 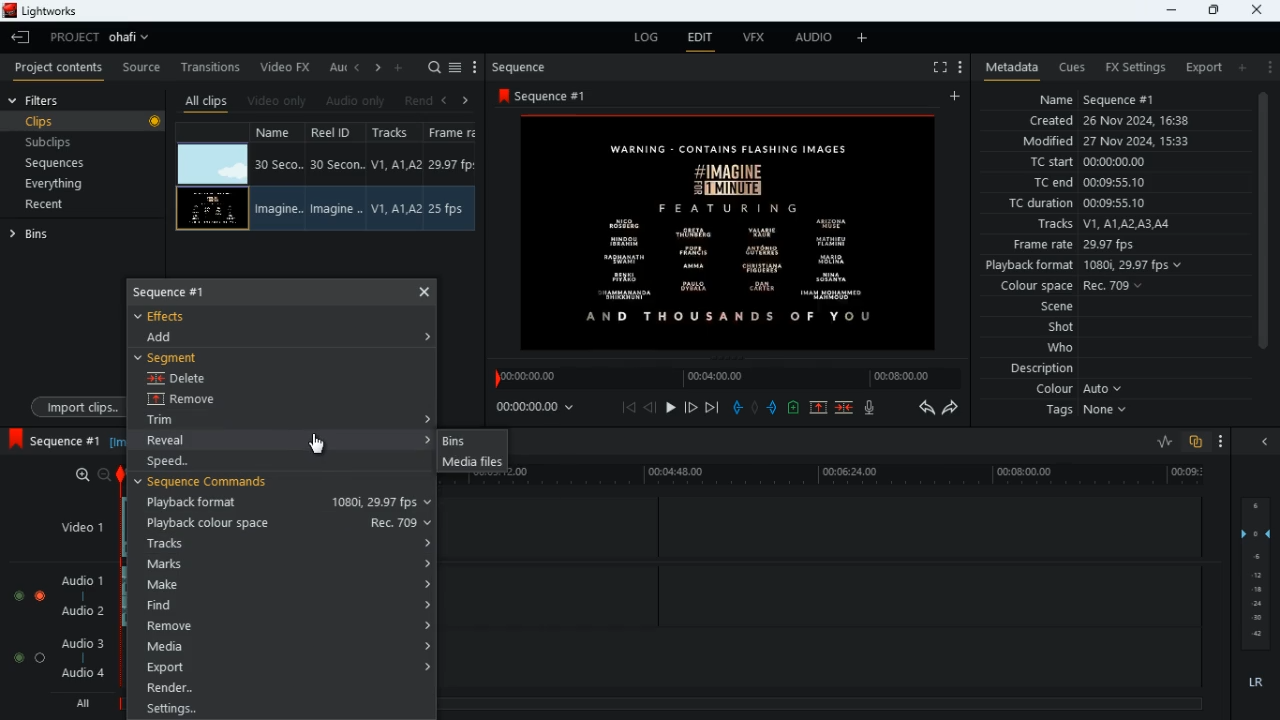 What do you see at coordinates (1008, 66) in the screenshot?
I see `metadata` at bounding box center [1008, 66].